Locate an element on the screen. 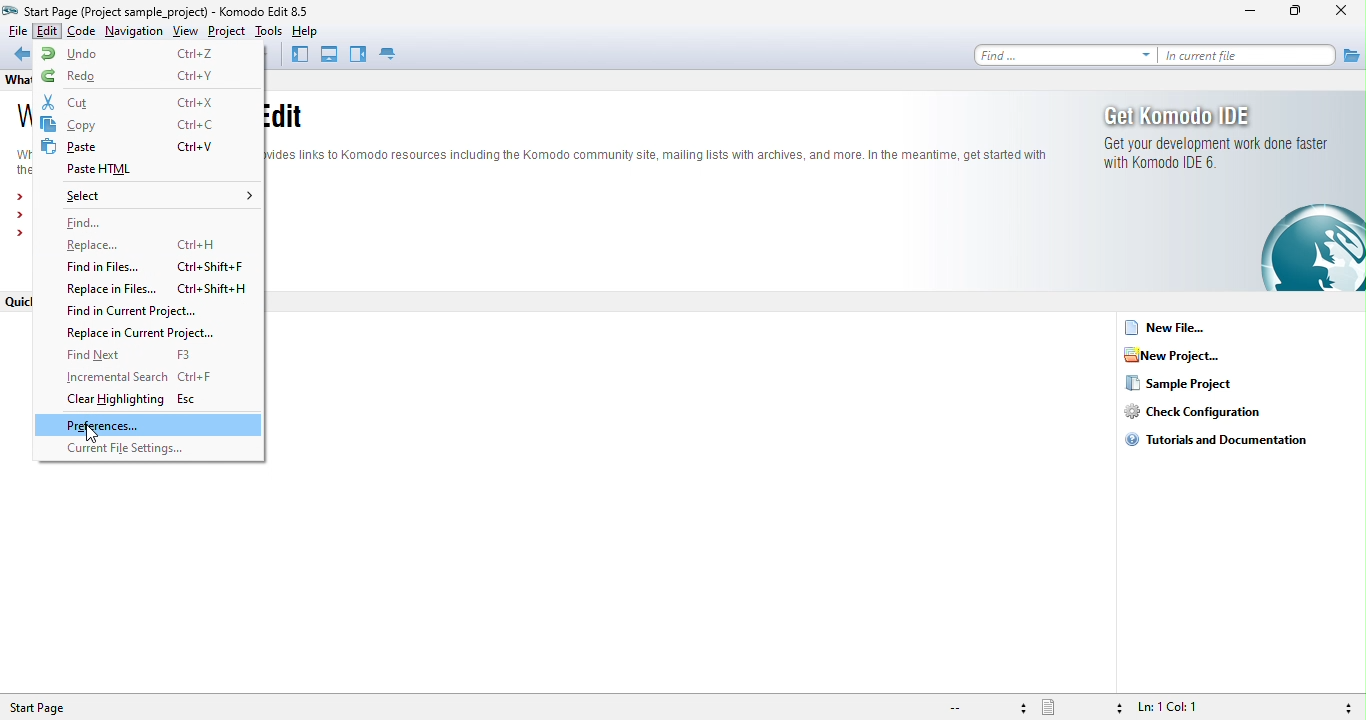 This screenshot has width=1366, height=720. bottom pane is located at coordinates (331, 57).